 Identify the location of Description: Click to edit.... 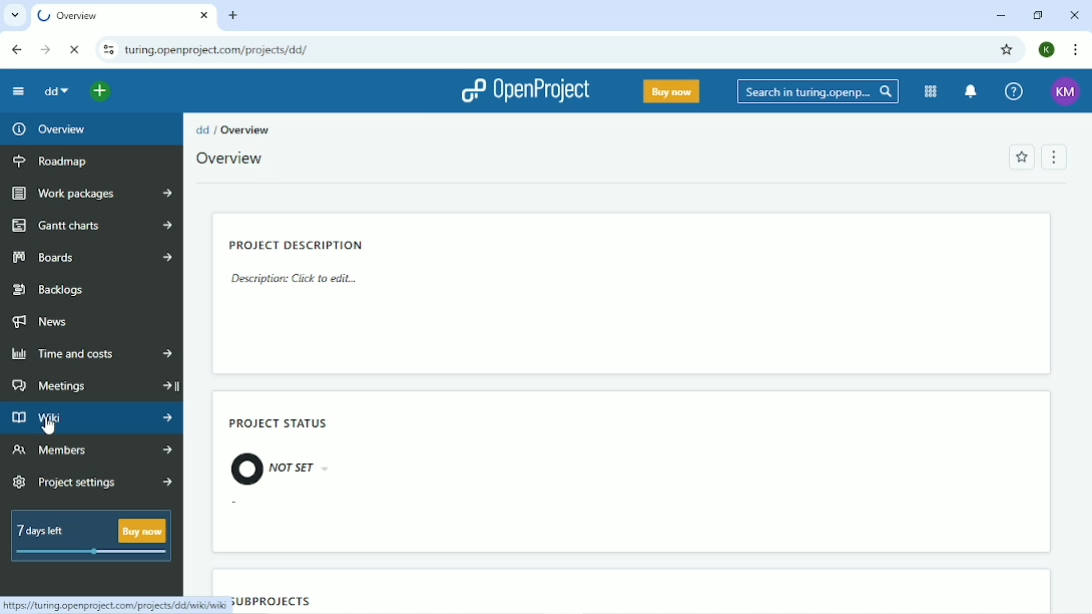
(291, 278).